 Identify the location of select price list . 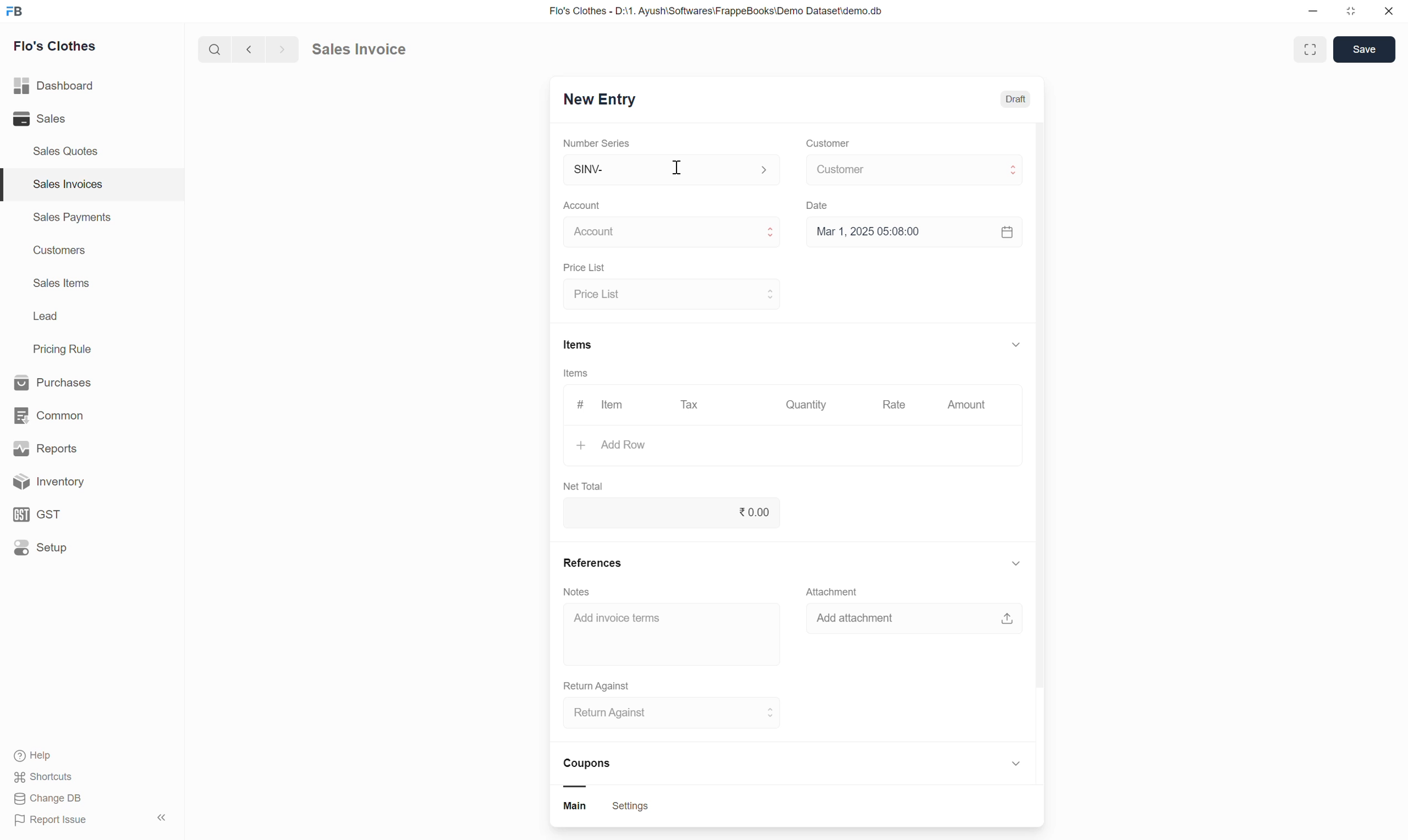
(671, 294).